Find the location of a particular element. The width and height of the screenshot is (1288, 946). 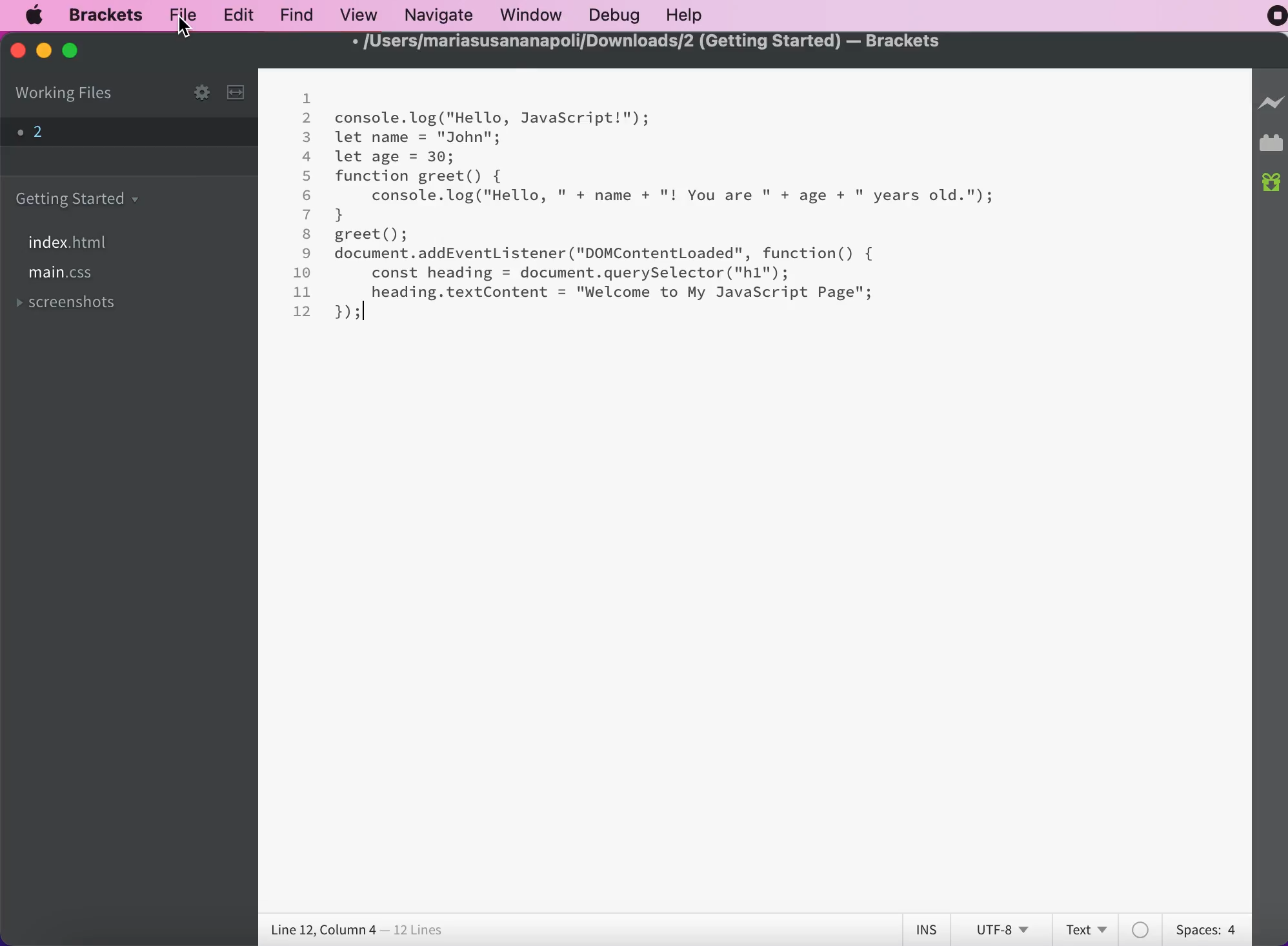

/Users/mariasusananapoli/Downloads/2 (Getting Started) — Brackets is located at coordinates (641, 42).